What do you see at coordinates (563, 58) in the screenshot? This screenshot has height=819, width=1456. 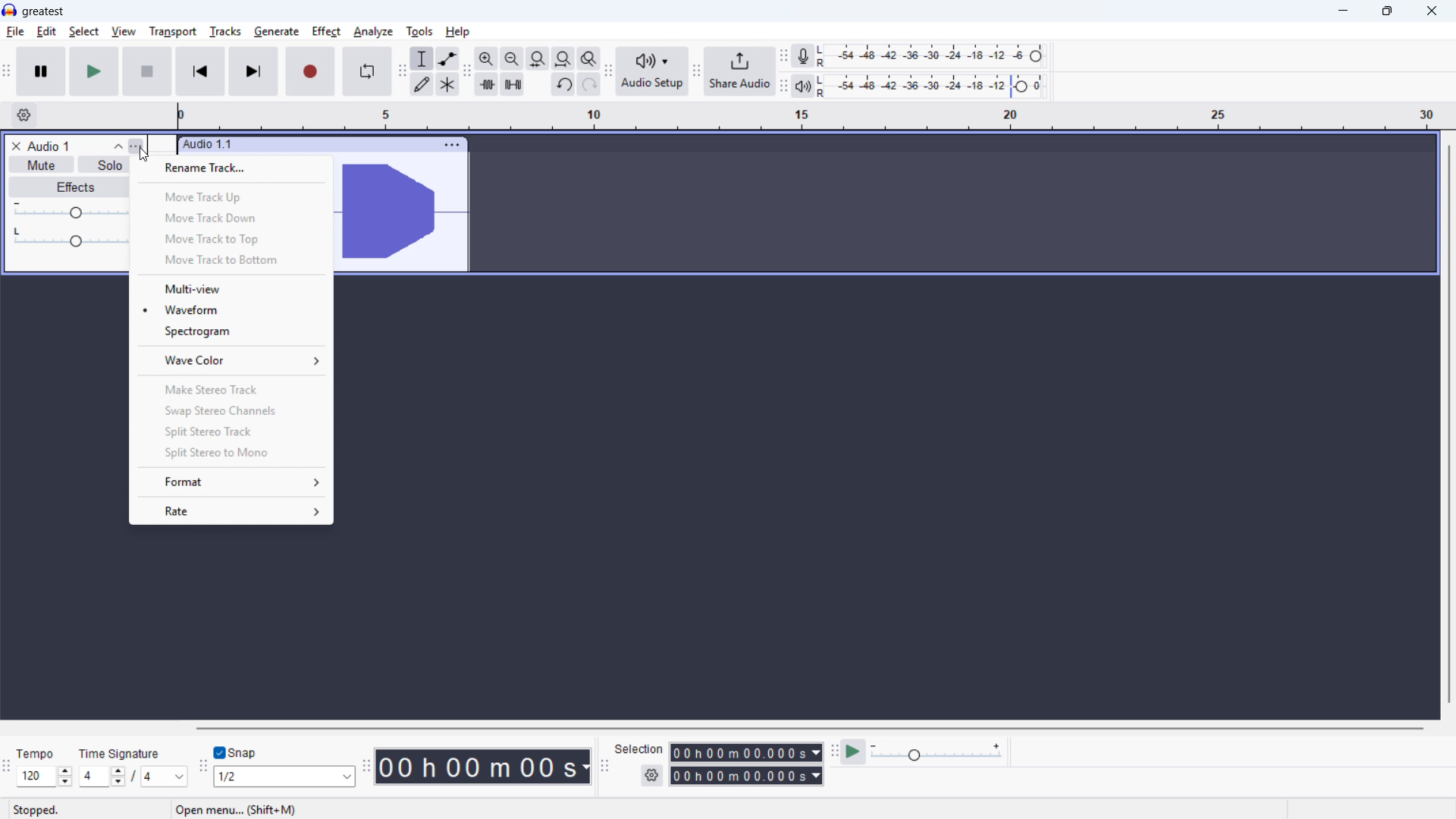 I see `fit selection to width` at bounding box center [563, 58].